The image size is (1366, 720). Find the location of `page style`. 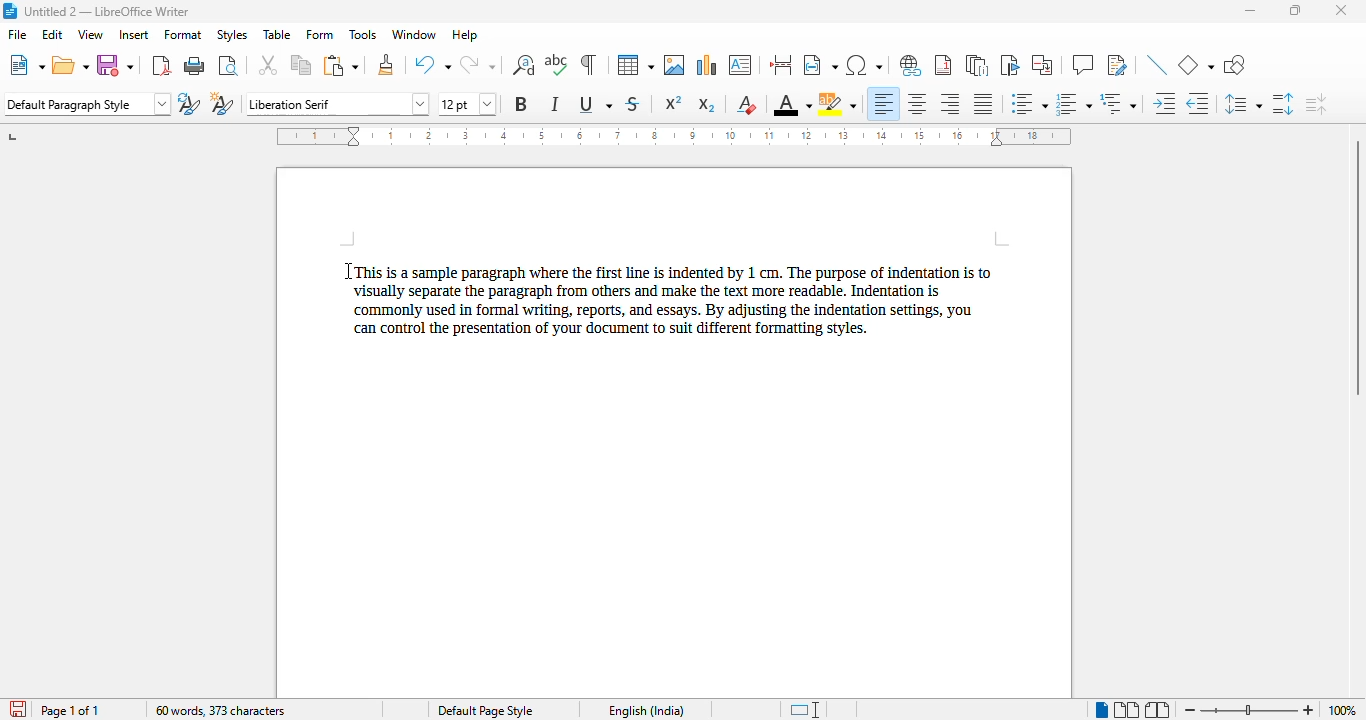

page style is located at coordinates (484, 711).